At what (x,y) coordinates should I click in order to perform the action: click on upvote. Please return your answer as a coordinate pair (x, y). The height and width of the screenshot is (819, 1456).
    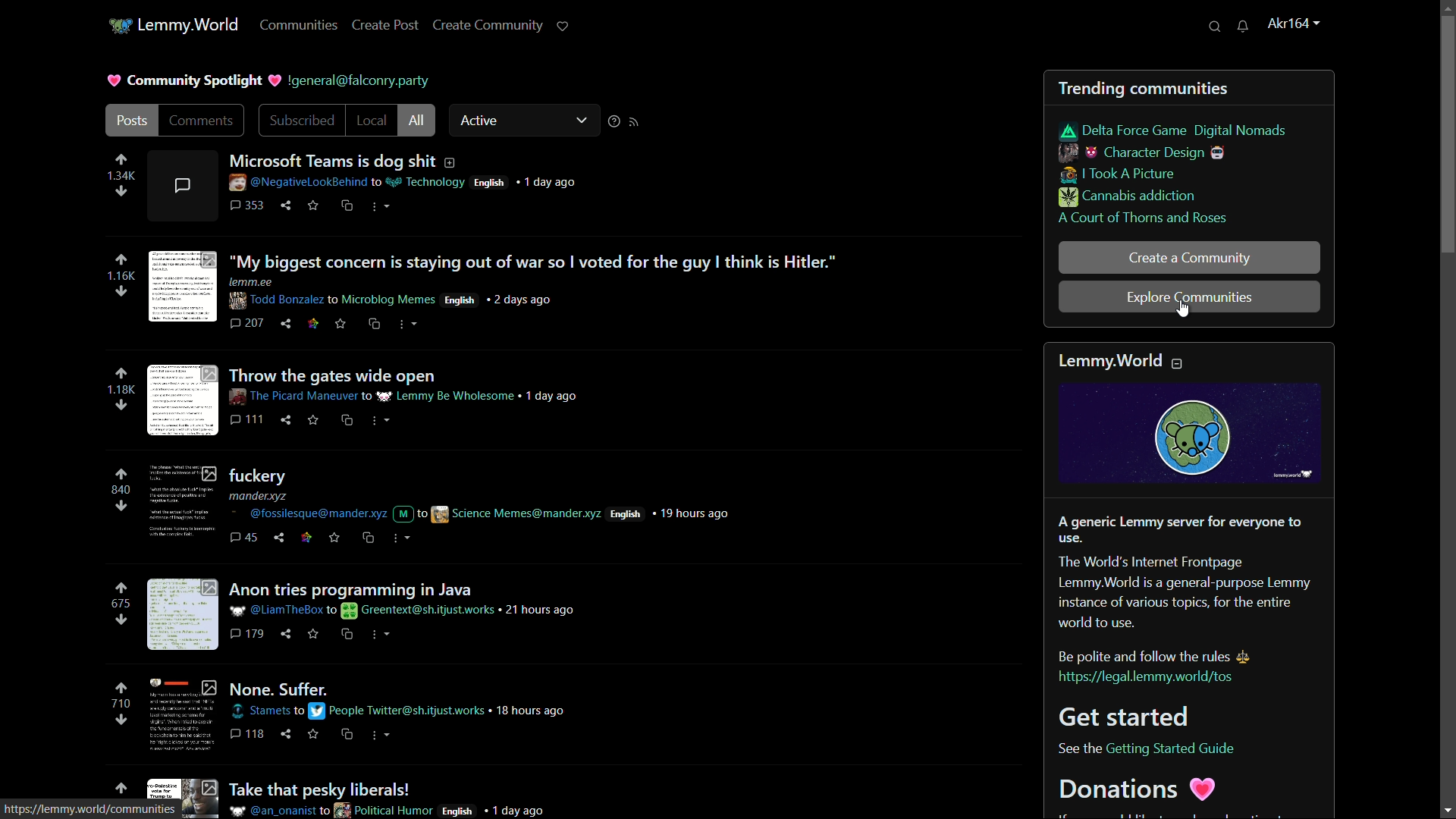
    Looking at the image, I should click on (122, 789).